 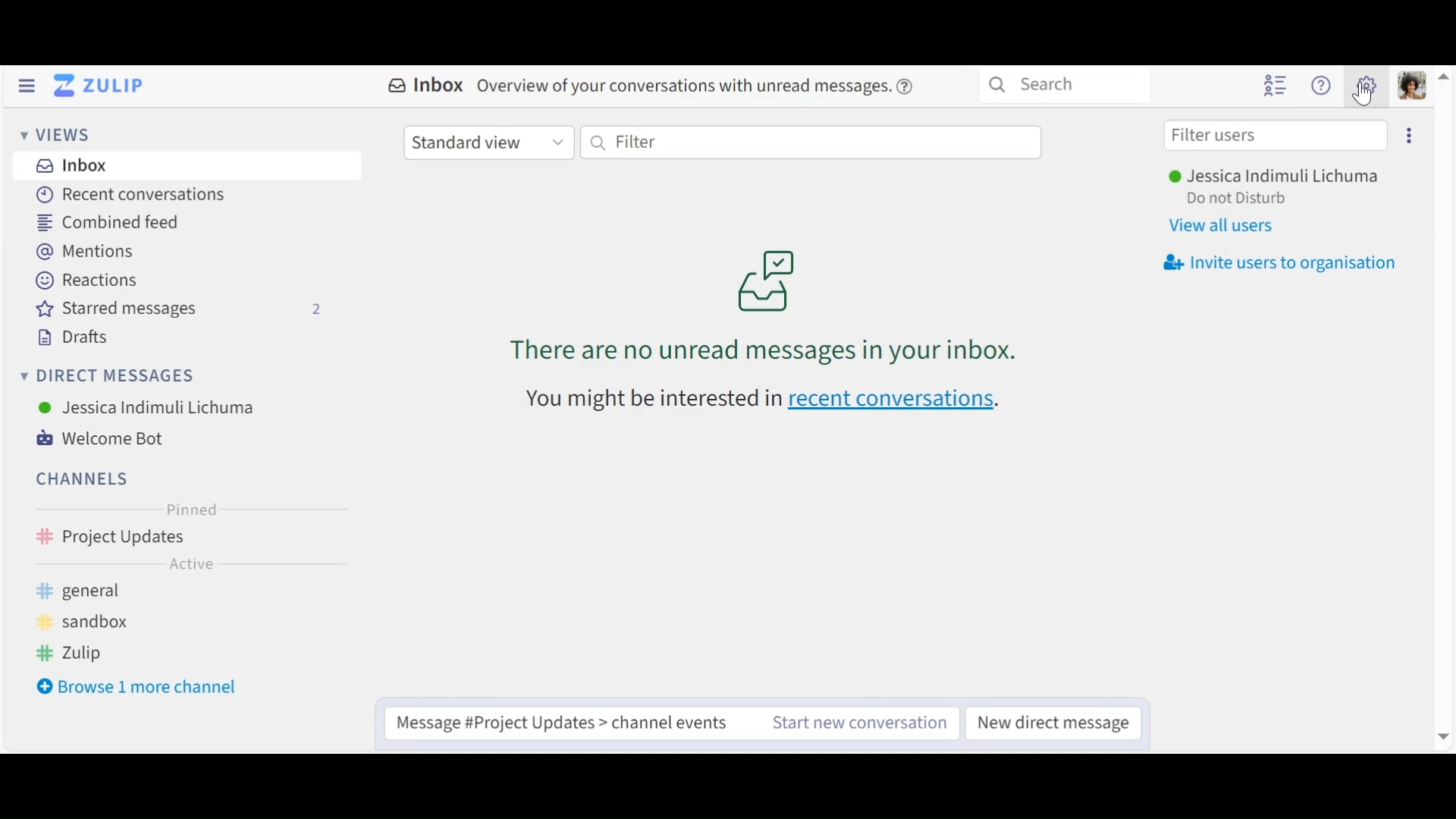 What do you see at coordinates (107, 377) in the screenshot?
I see `Direct Messages` at bounding box center [107, 377].